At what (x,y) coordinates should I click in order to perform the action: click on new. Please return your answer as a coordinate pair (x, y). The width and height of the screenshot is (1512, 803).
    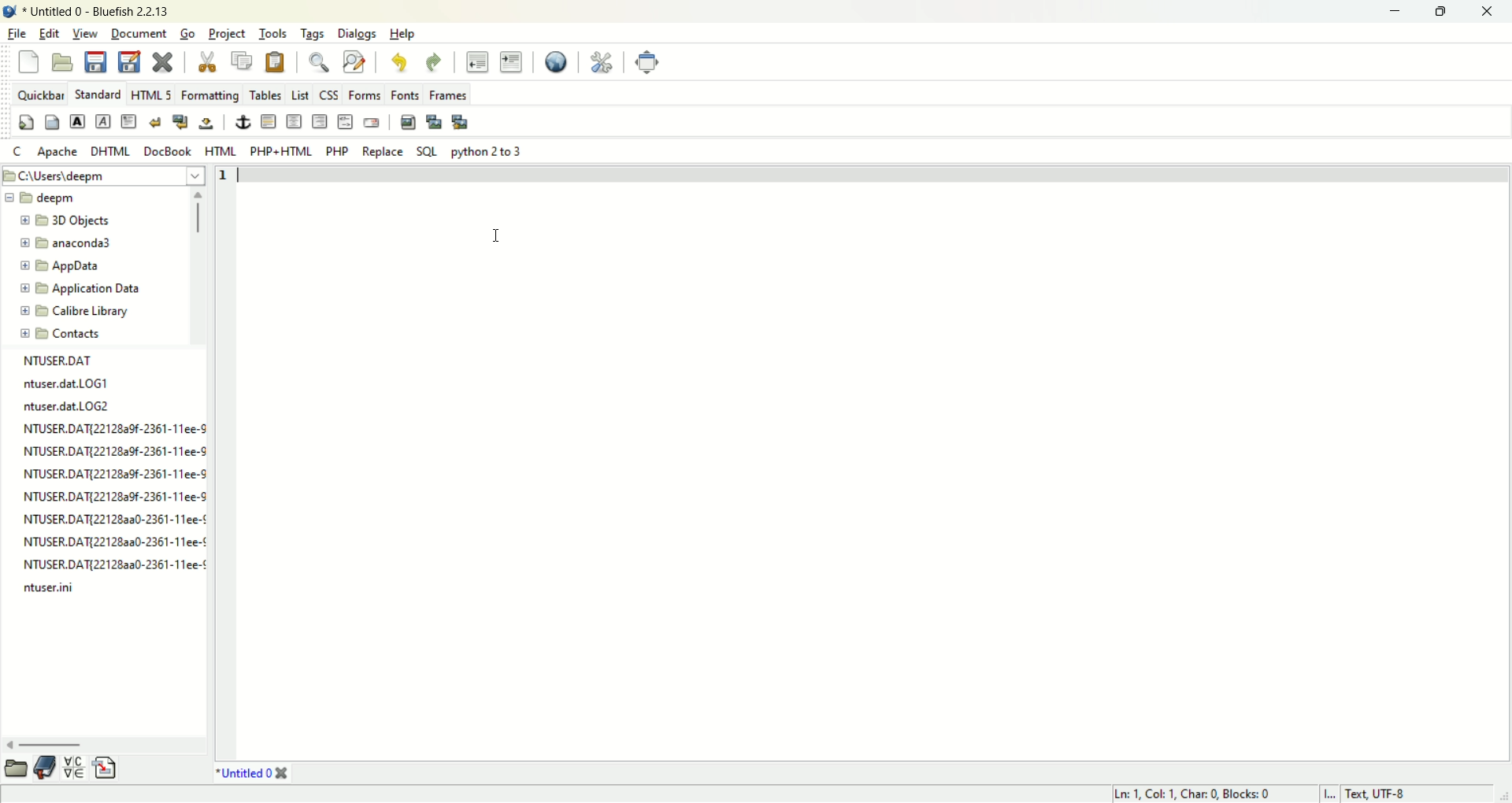
    Looking at the image, I should click on (24, 59).